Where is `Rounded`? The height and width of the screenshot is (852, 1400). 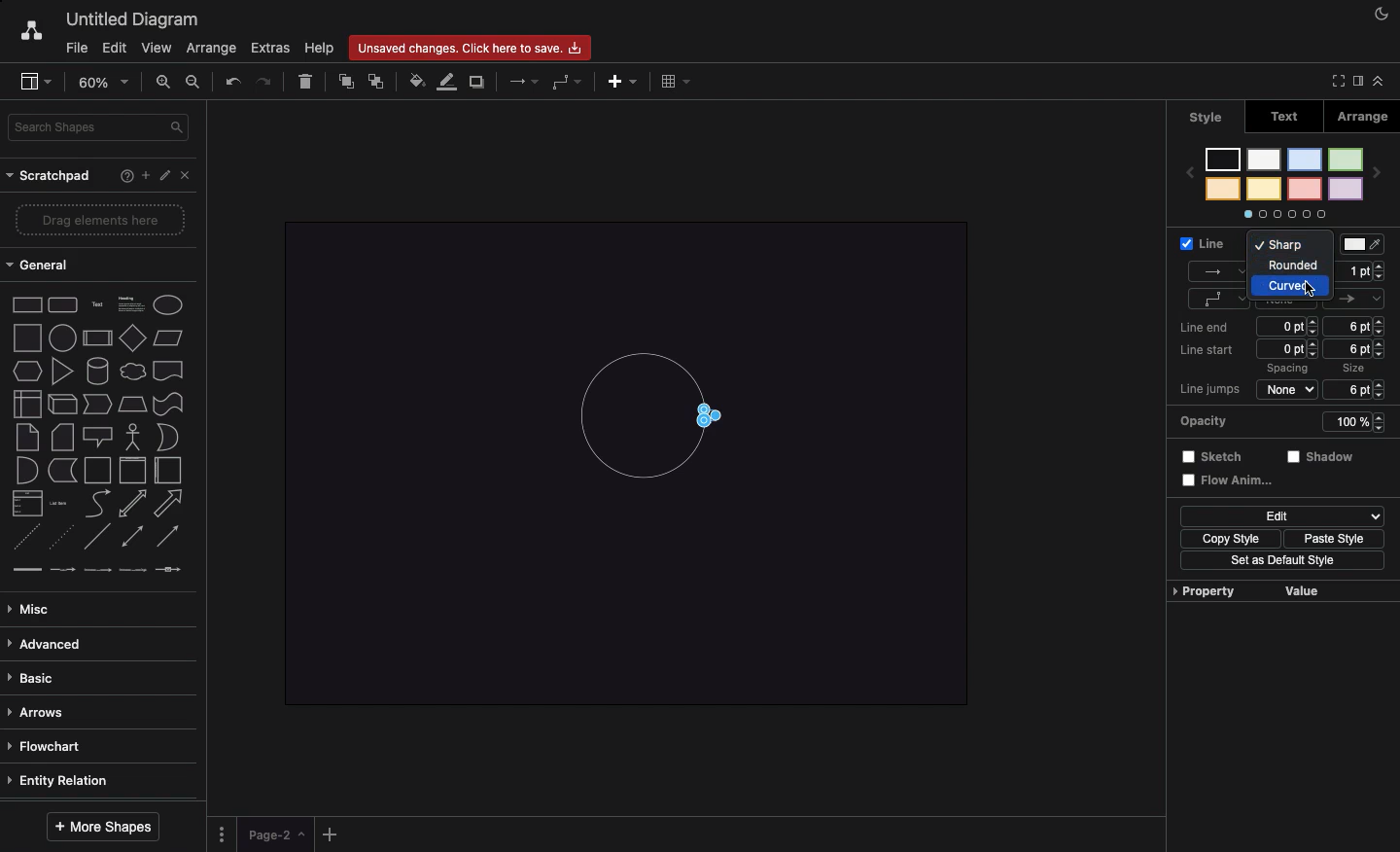
Rounded is located at coordinates (1298, 267).